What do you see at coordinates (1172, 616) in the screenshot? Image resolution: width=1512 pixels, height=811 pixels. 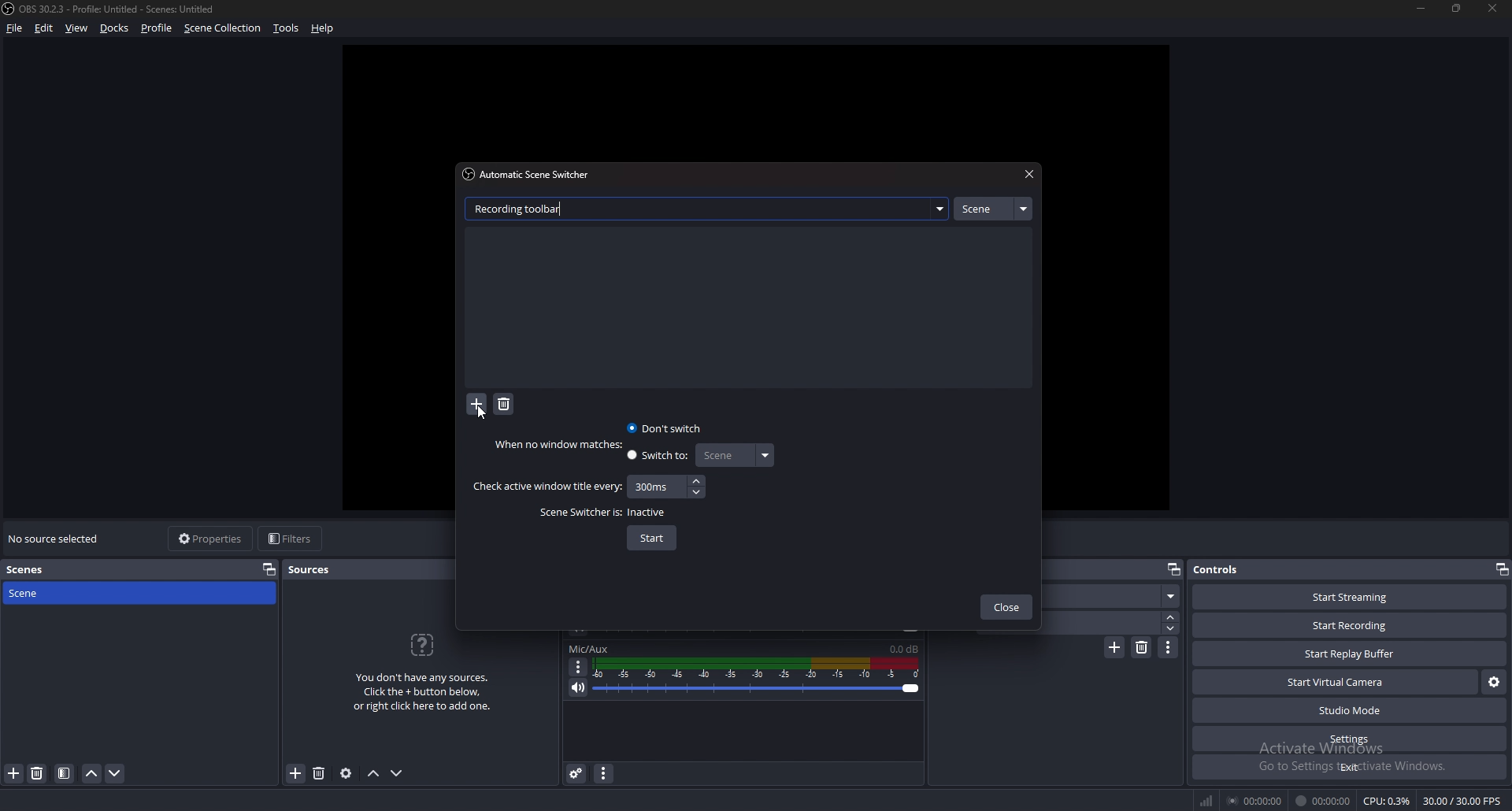 I see `increase duration` at bounding box center [1172, 616].